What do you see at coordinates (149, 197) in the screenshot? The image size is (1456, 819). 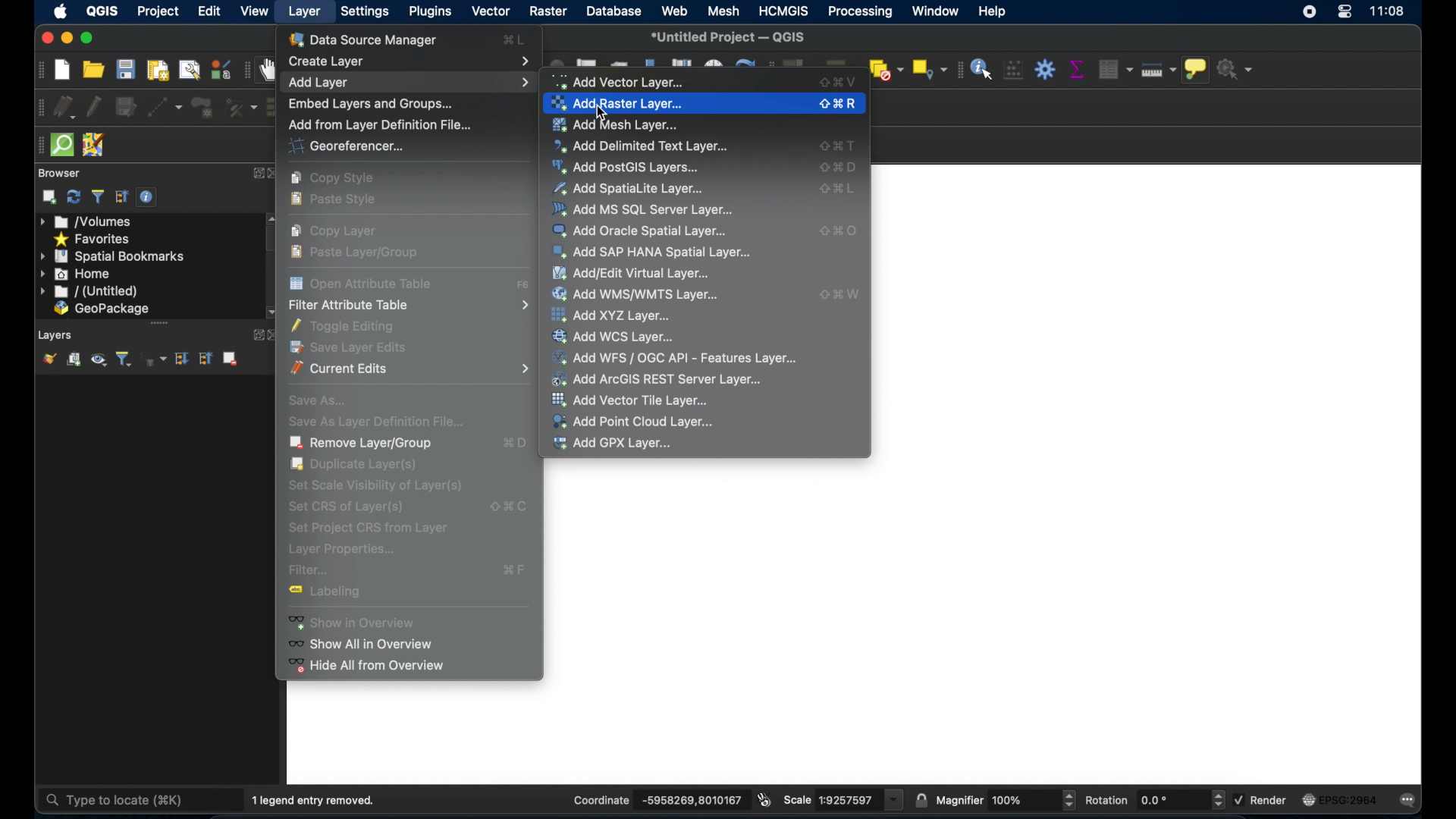 I see `enable/disable properties widget` at bounding box center [149, 197].